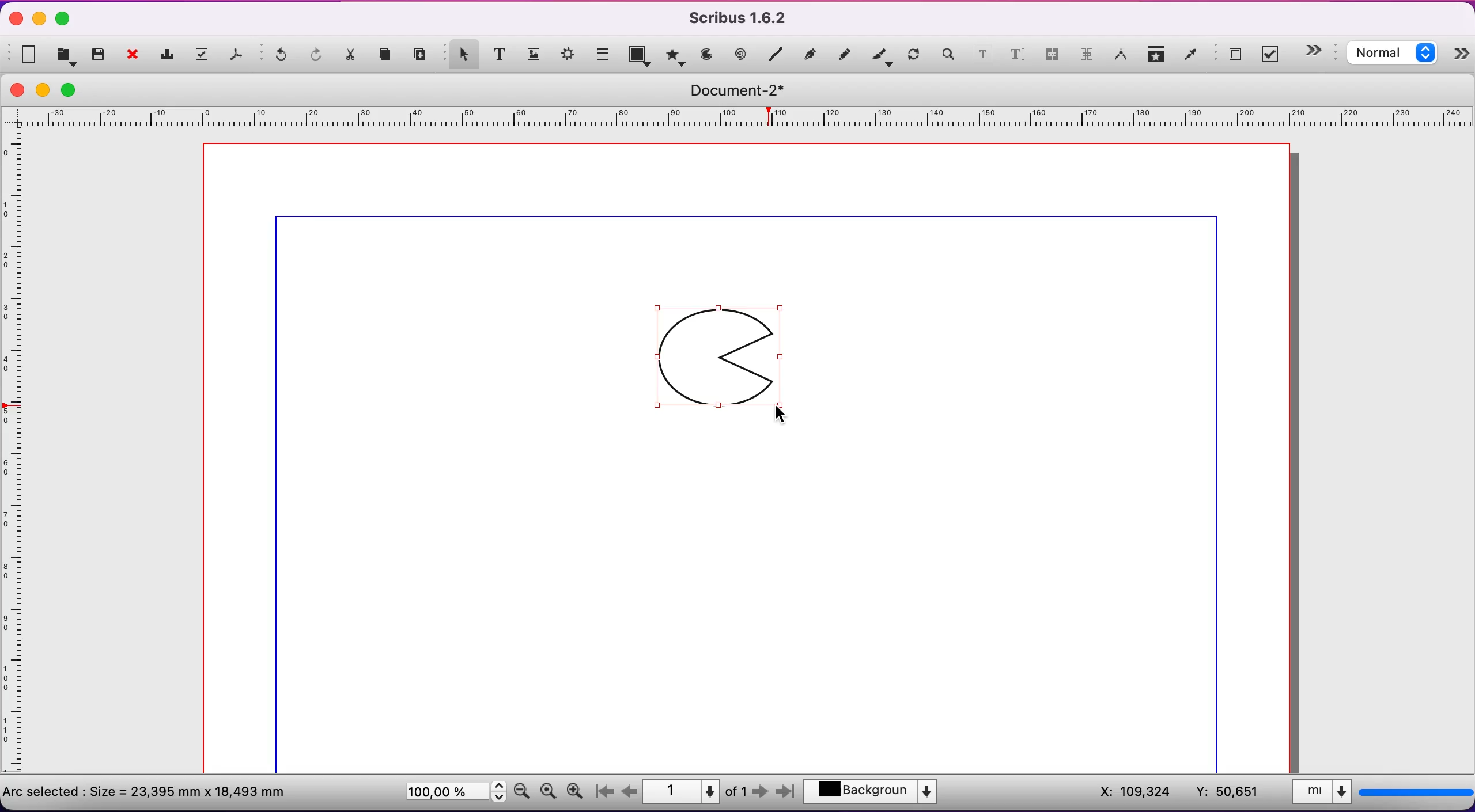  I want to click on close, so click(13, 20).